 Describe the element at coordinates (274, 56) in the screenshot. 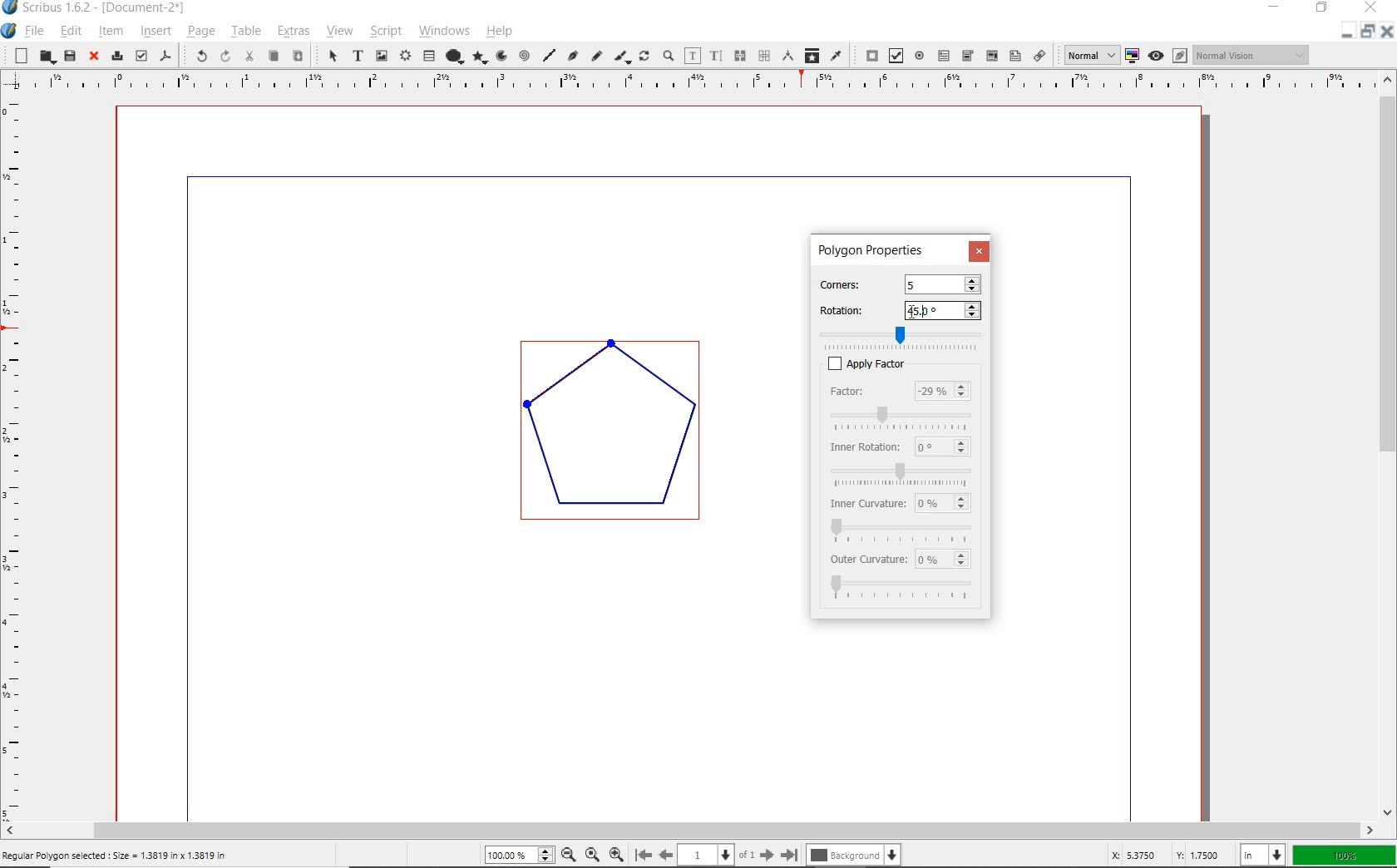

I see `copy` at that location.